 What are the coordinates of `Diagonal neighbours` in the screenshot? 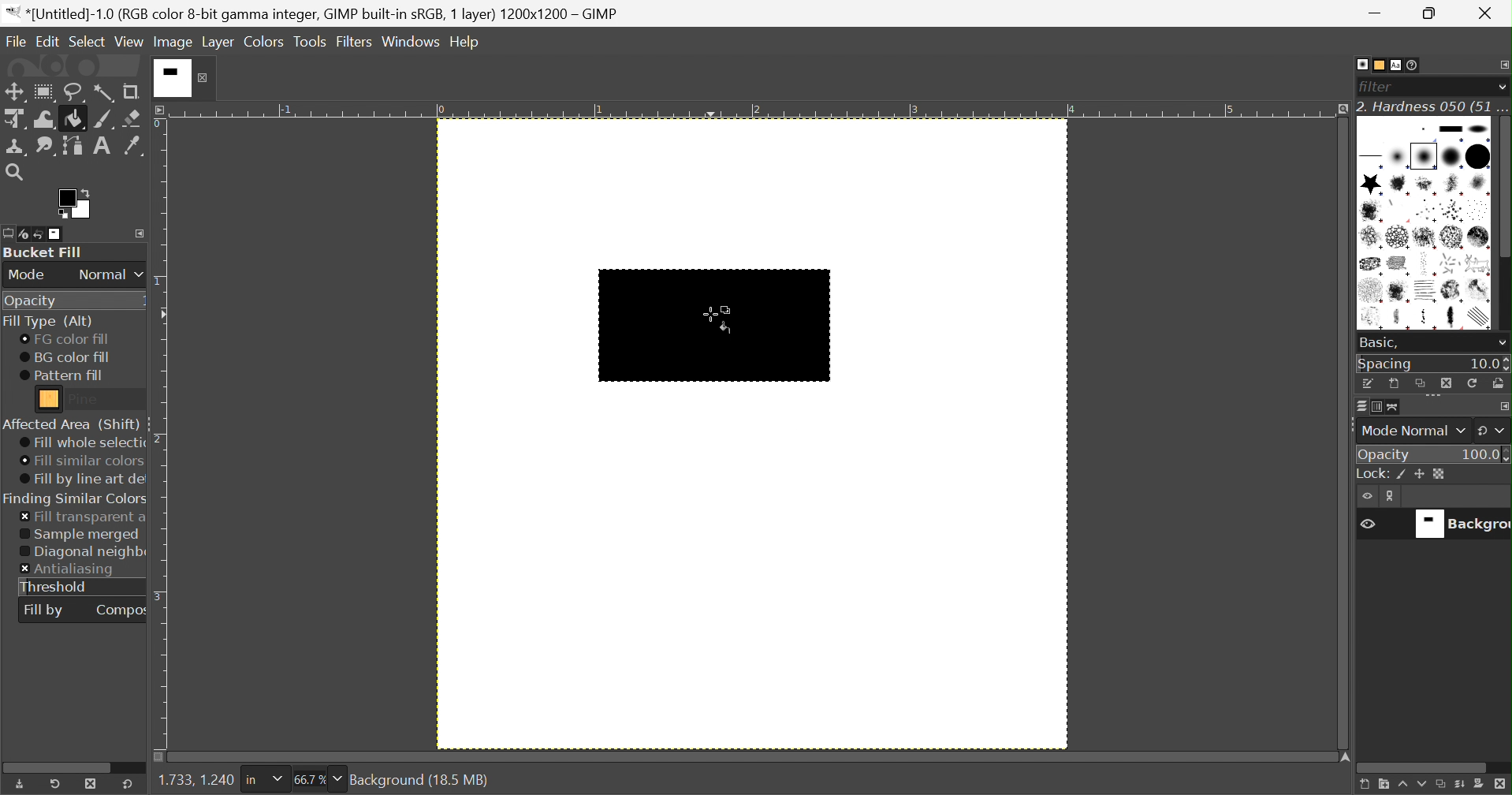 It's located at (82, 553).